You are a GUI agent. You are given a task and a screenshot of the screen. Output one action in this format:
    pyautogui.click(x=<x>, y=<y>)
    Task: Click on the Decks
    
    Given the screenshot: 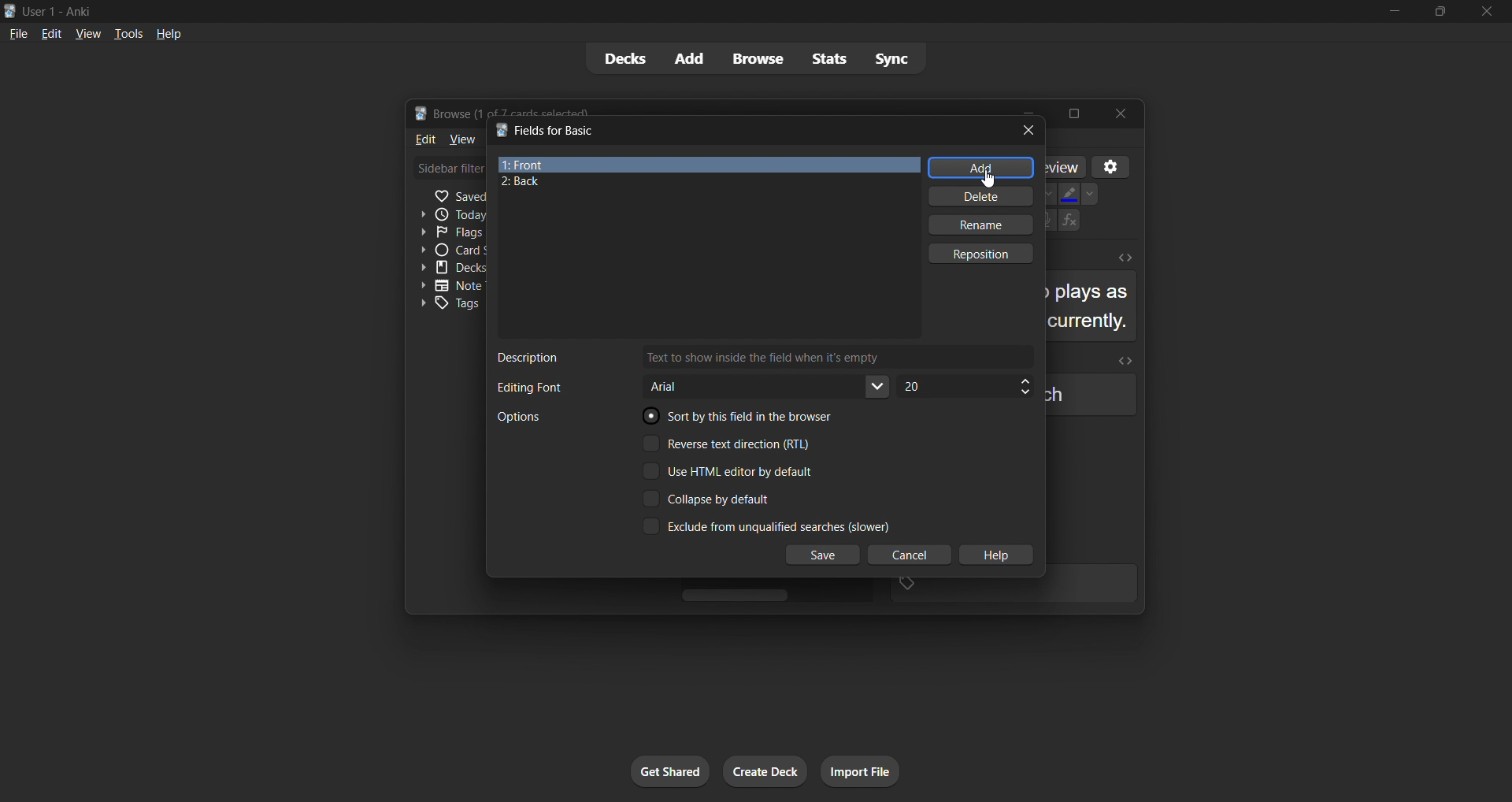 What is the action you would take?
    pyautogui.click(x=451, y=269)
    